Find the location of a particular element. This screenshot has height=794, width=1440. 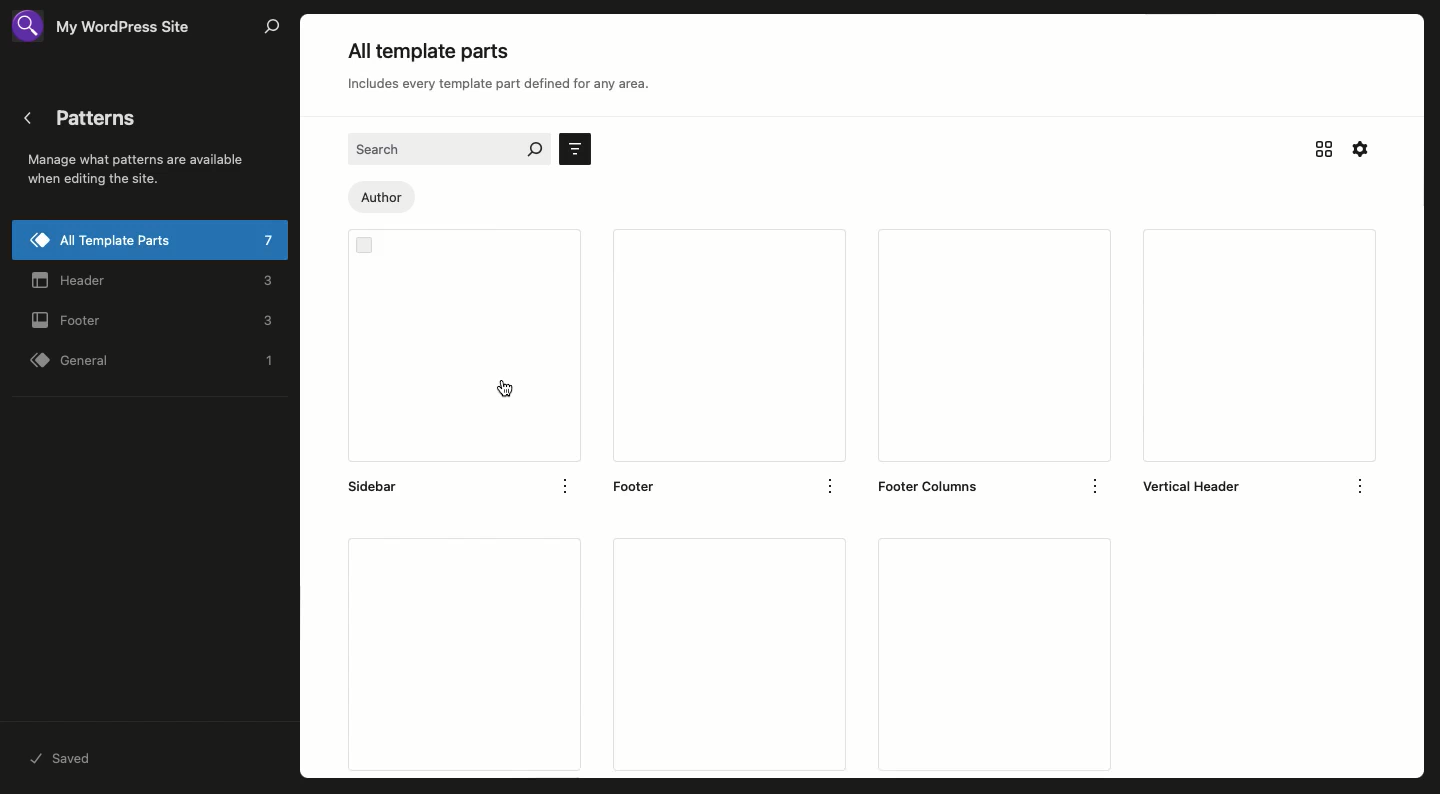

Back is located at coordinates (29, 118).